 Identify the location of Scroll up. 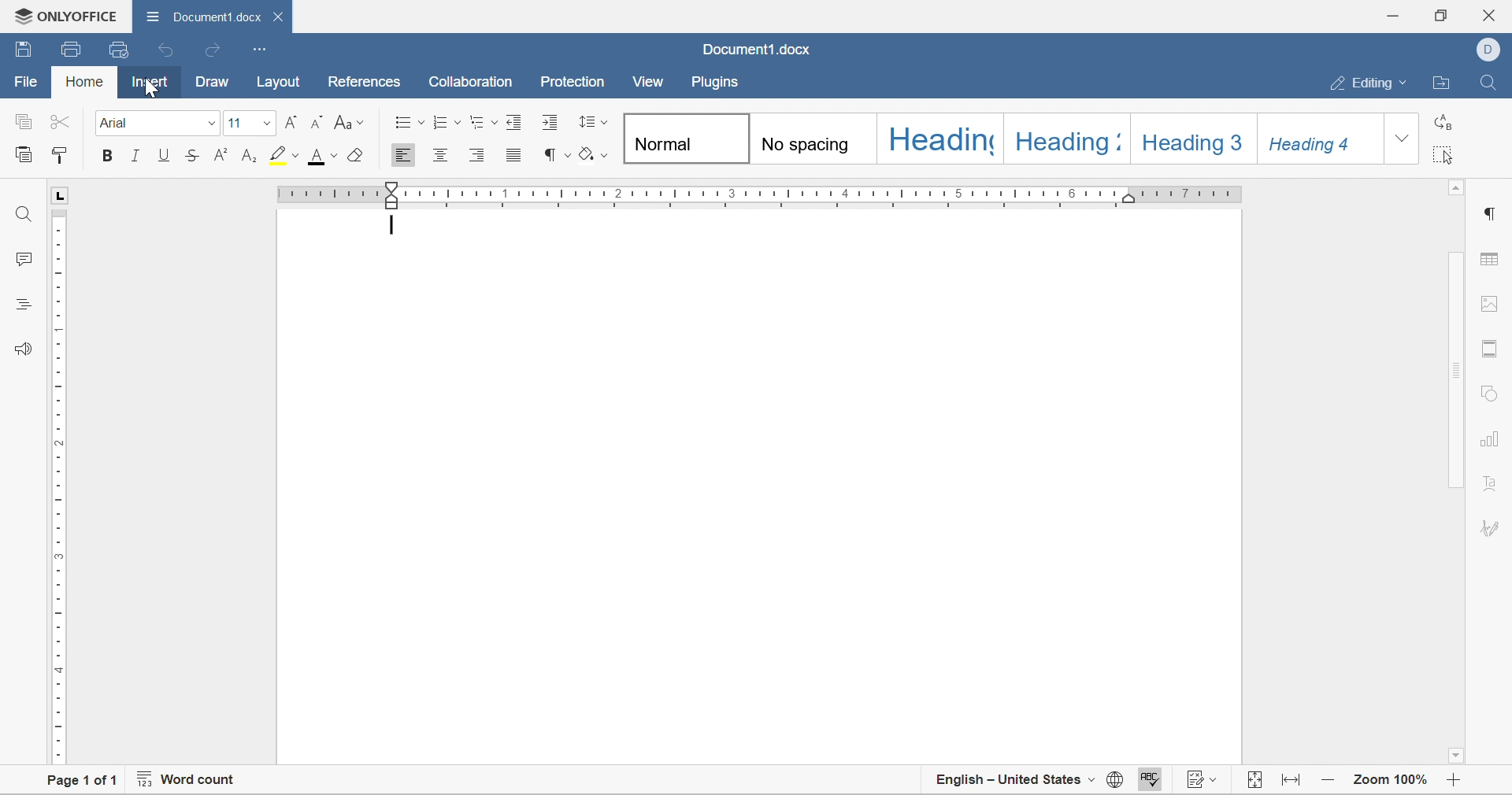
(1457, 190).